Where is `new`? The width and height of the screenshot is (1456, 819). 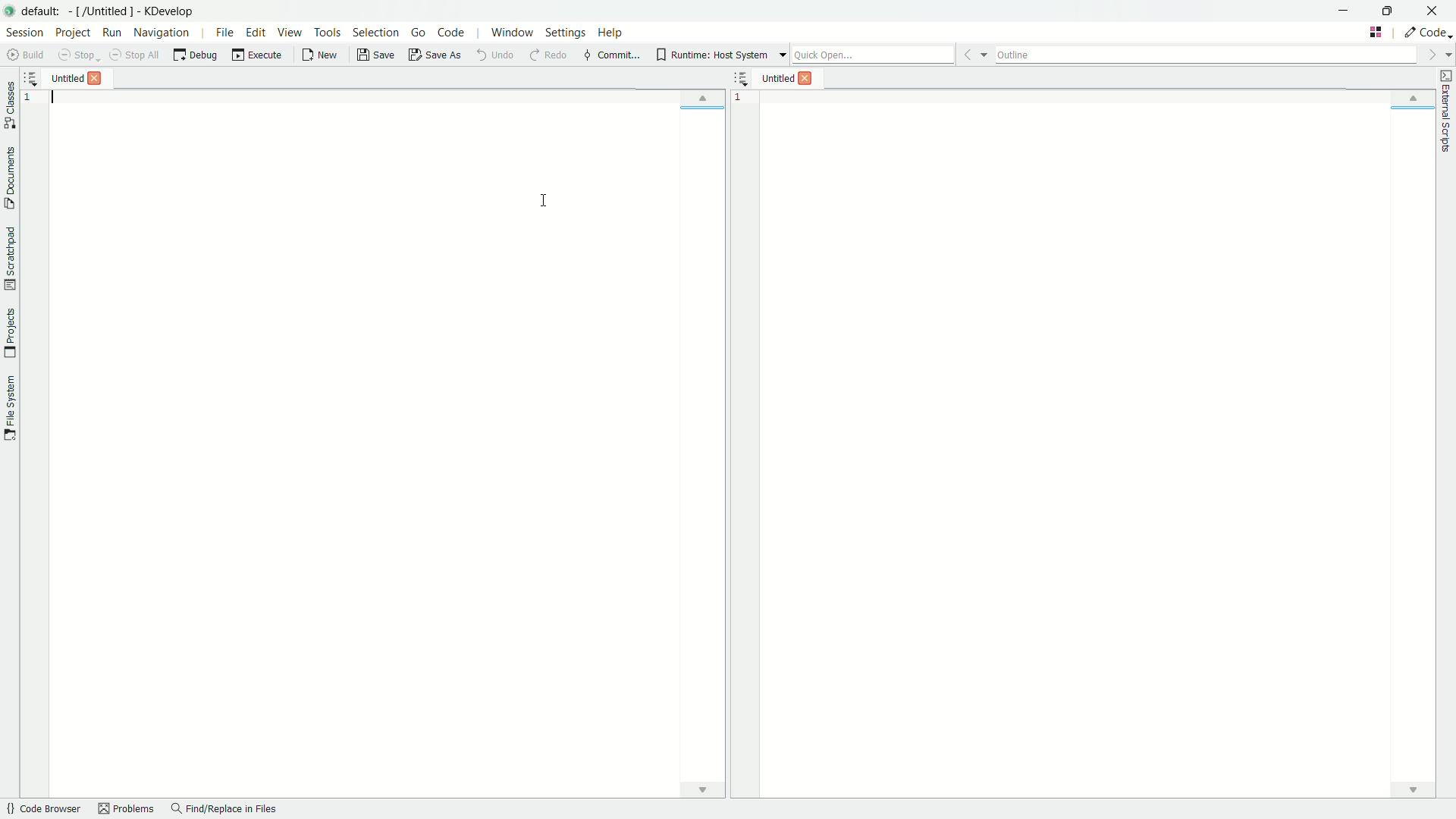
new is located at coordinates (319, 55).